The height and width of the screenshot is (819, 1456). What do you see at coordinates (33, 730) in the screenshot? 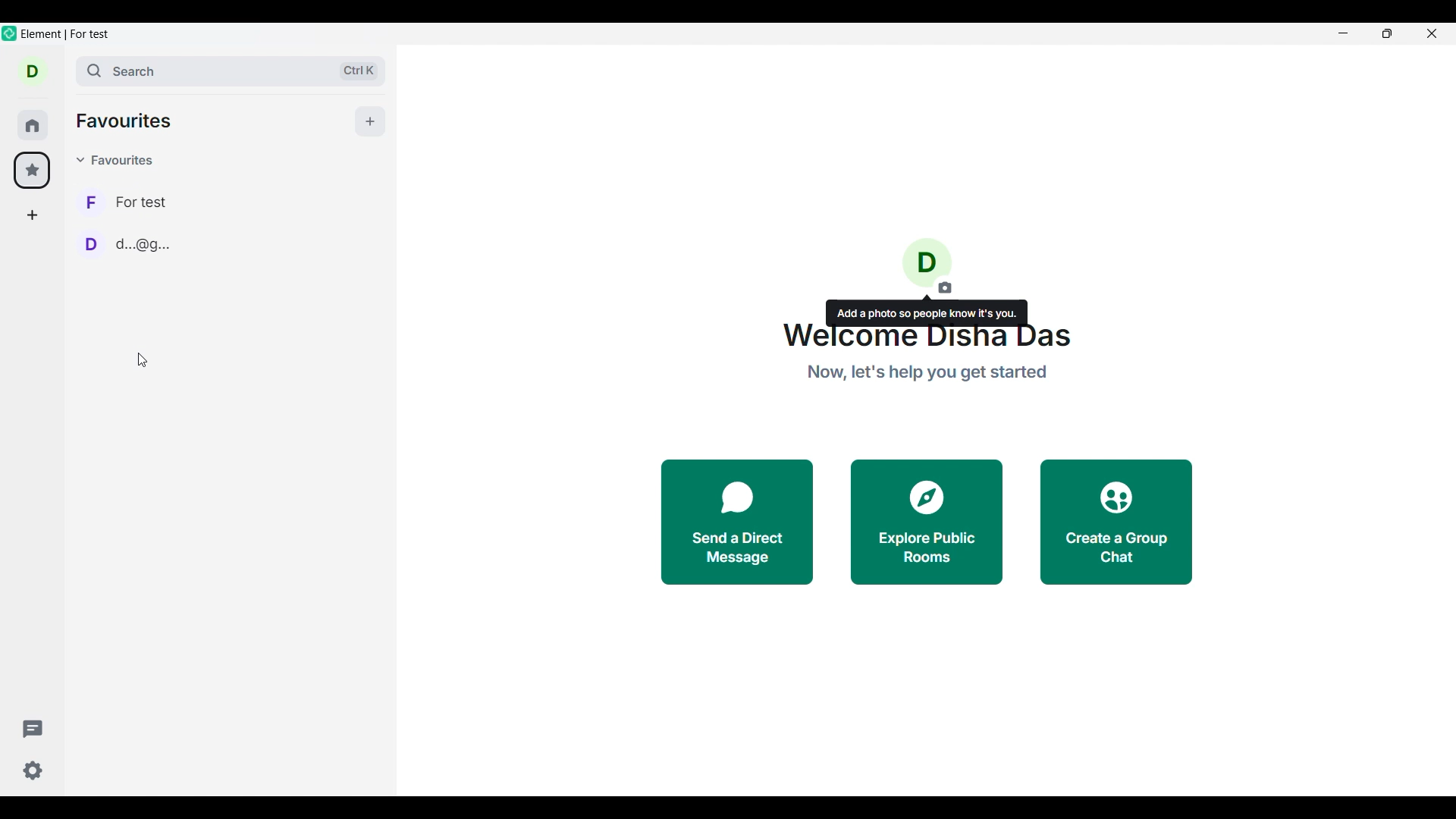
I see `Threads` at bounding box center [33, 730].